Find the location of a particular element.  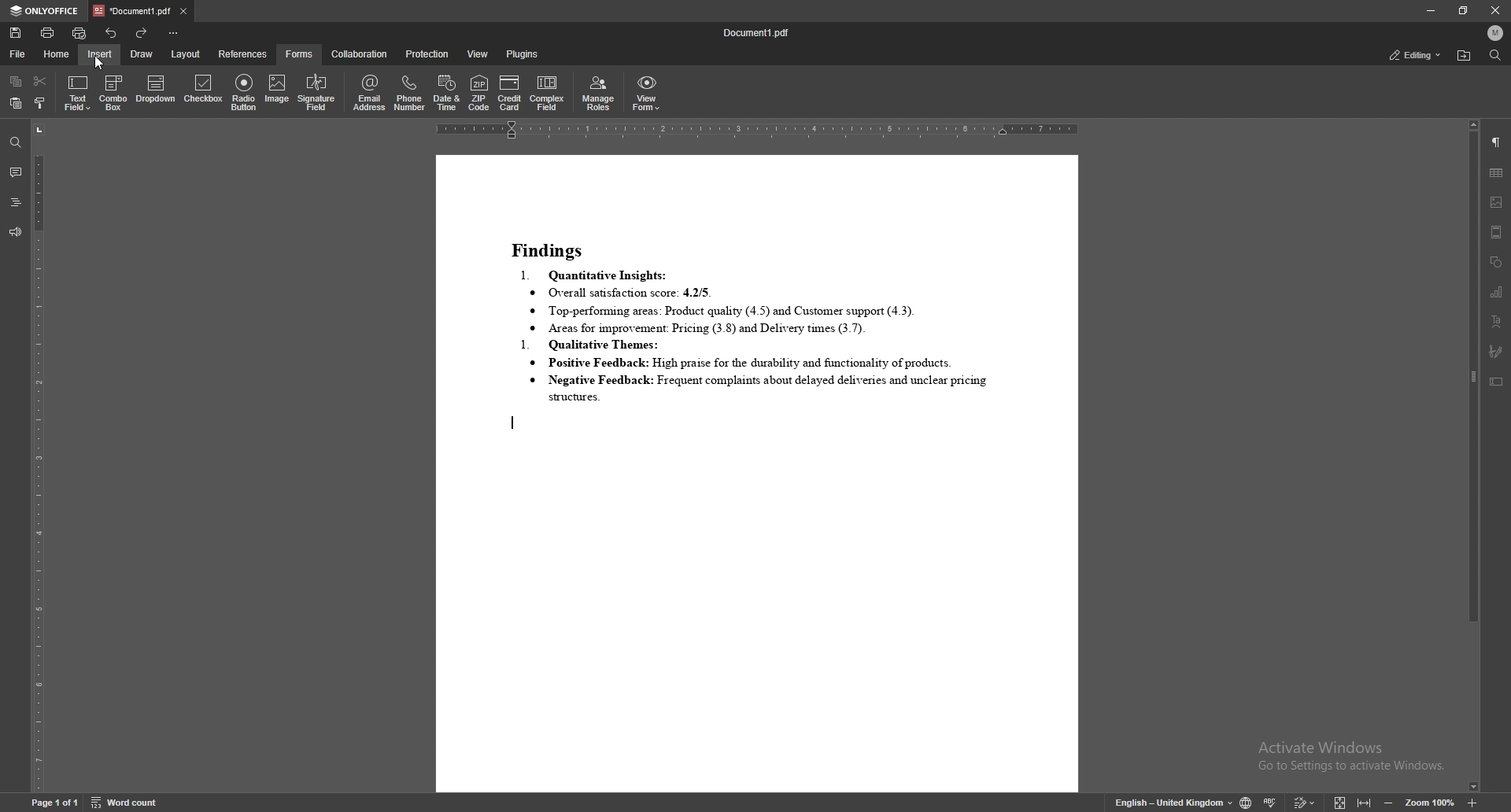

fit to width is located at coordinates (1365, 802).